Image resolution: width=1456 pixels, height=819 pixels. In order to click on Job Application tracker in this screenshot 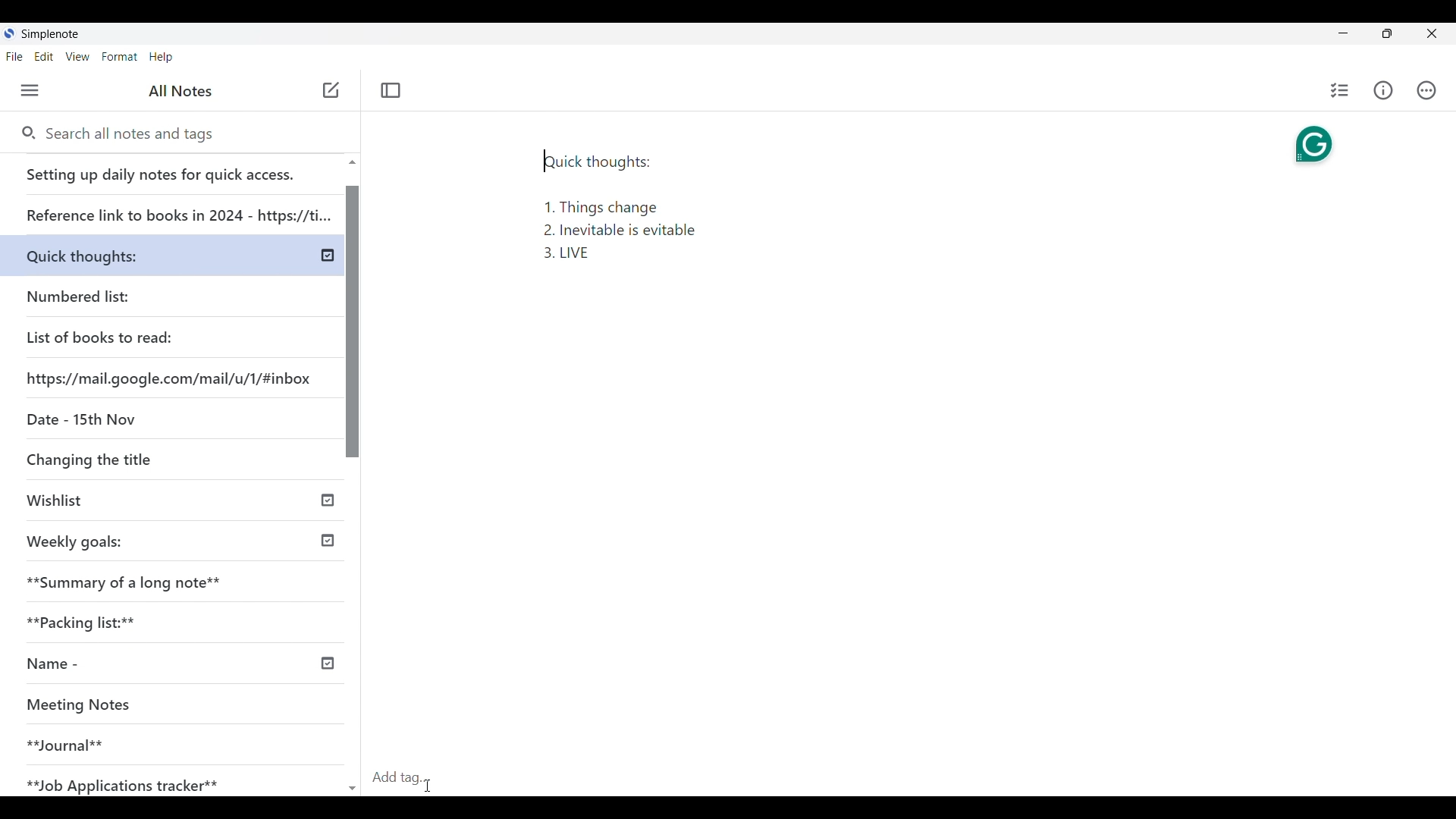, I will do `click(130, 782)`.